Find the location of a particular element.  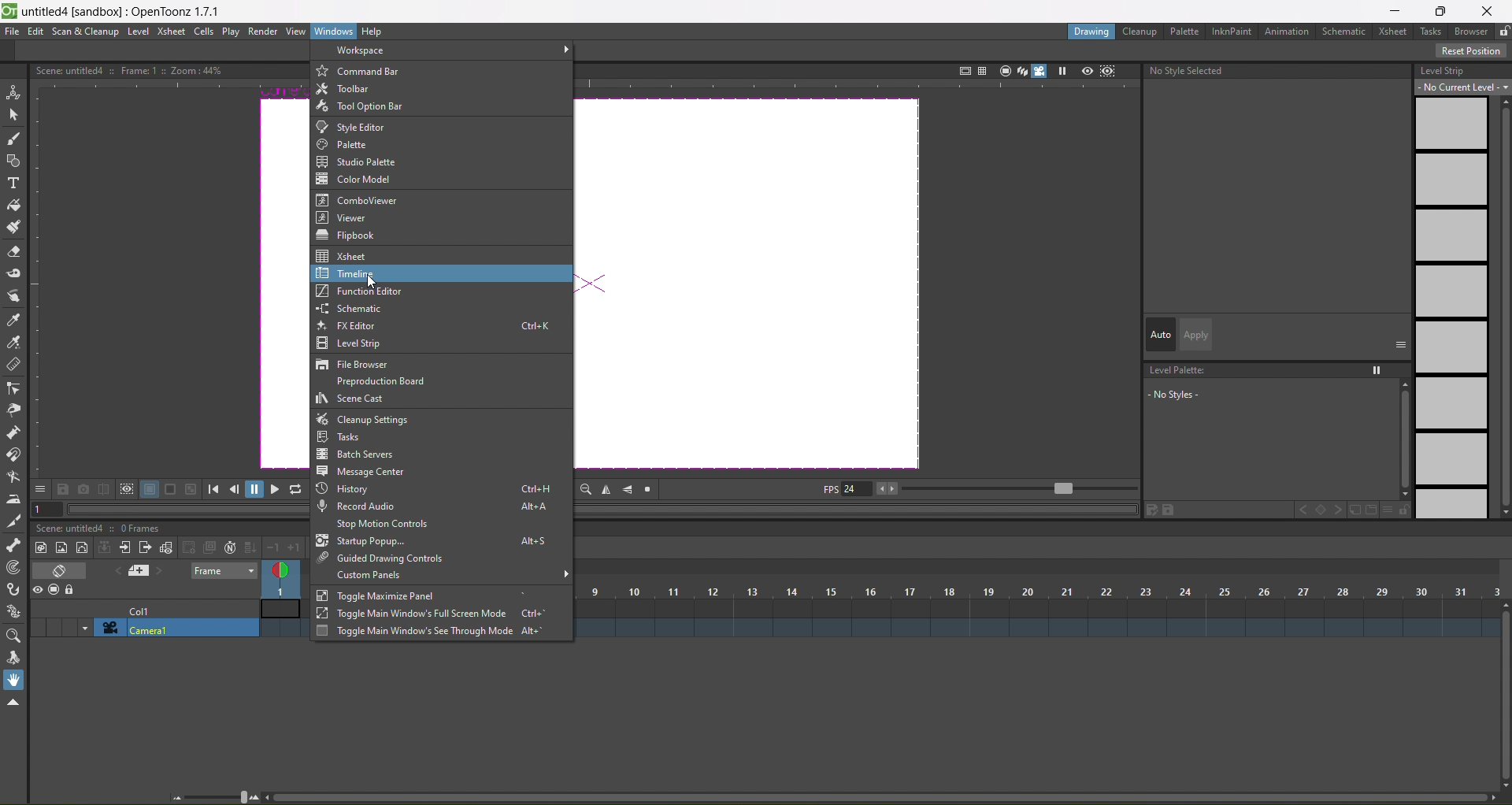

tool option bar is located at coordinates (377, 106).